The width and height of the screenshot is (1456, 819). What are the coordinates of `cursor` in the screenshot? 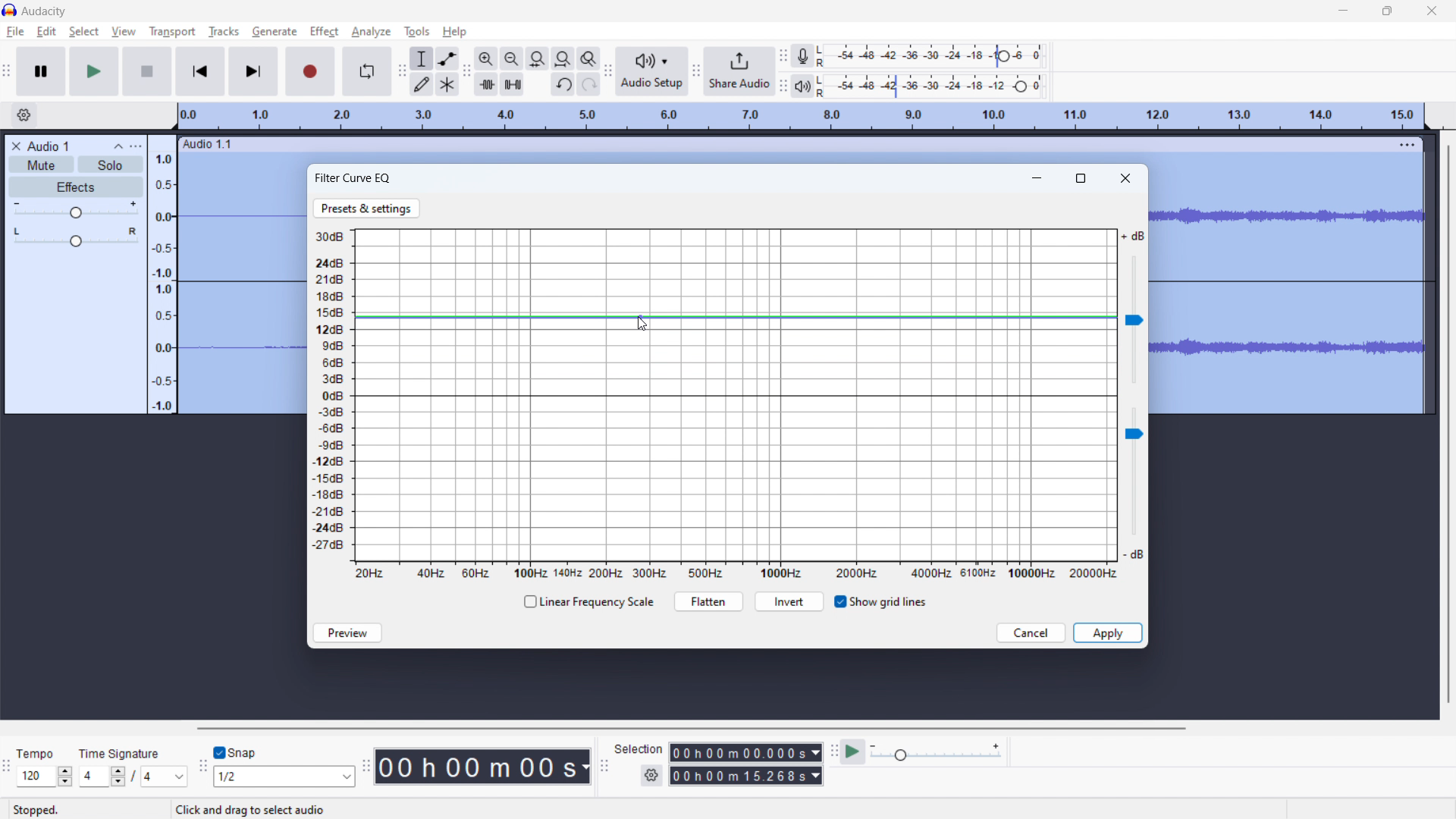 It's located at (648, 324).